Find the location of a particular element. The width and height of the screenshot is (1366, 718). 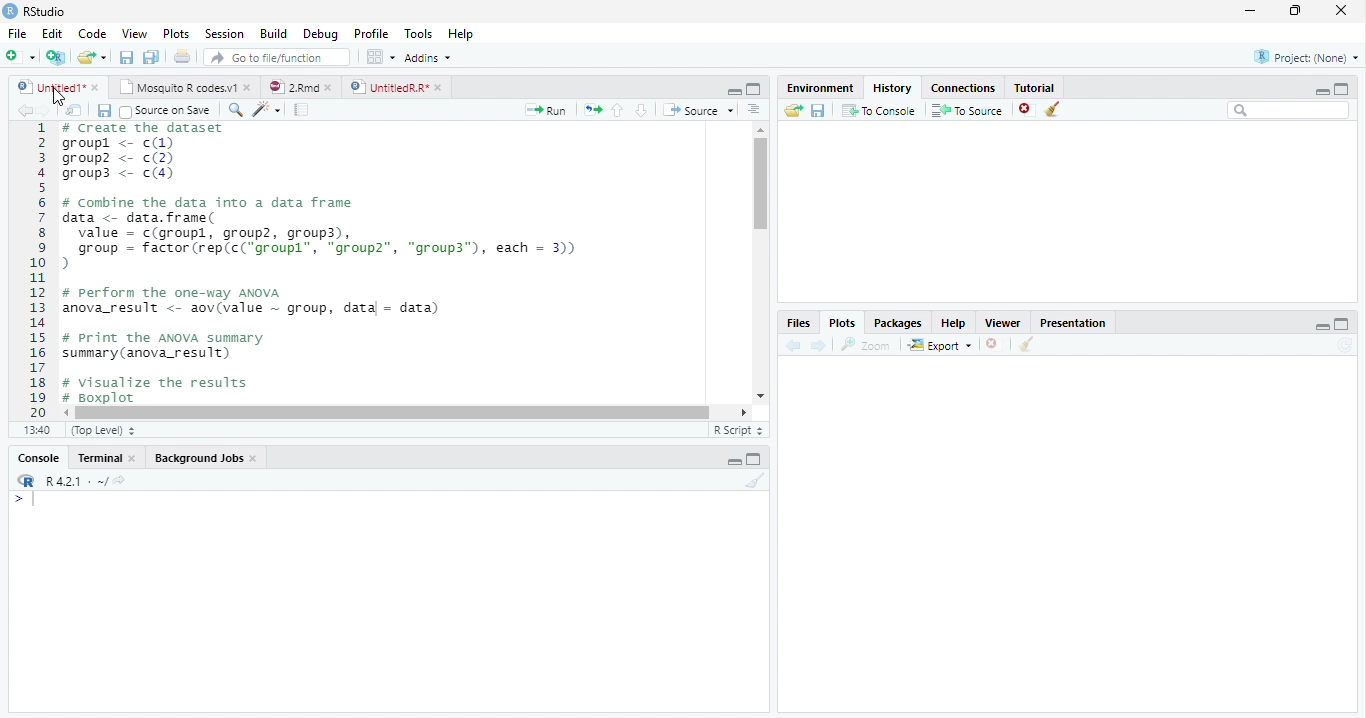

Files is located at coordinates (797, 323).